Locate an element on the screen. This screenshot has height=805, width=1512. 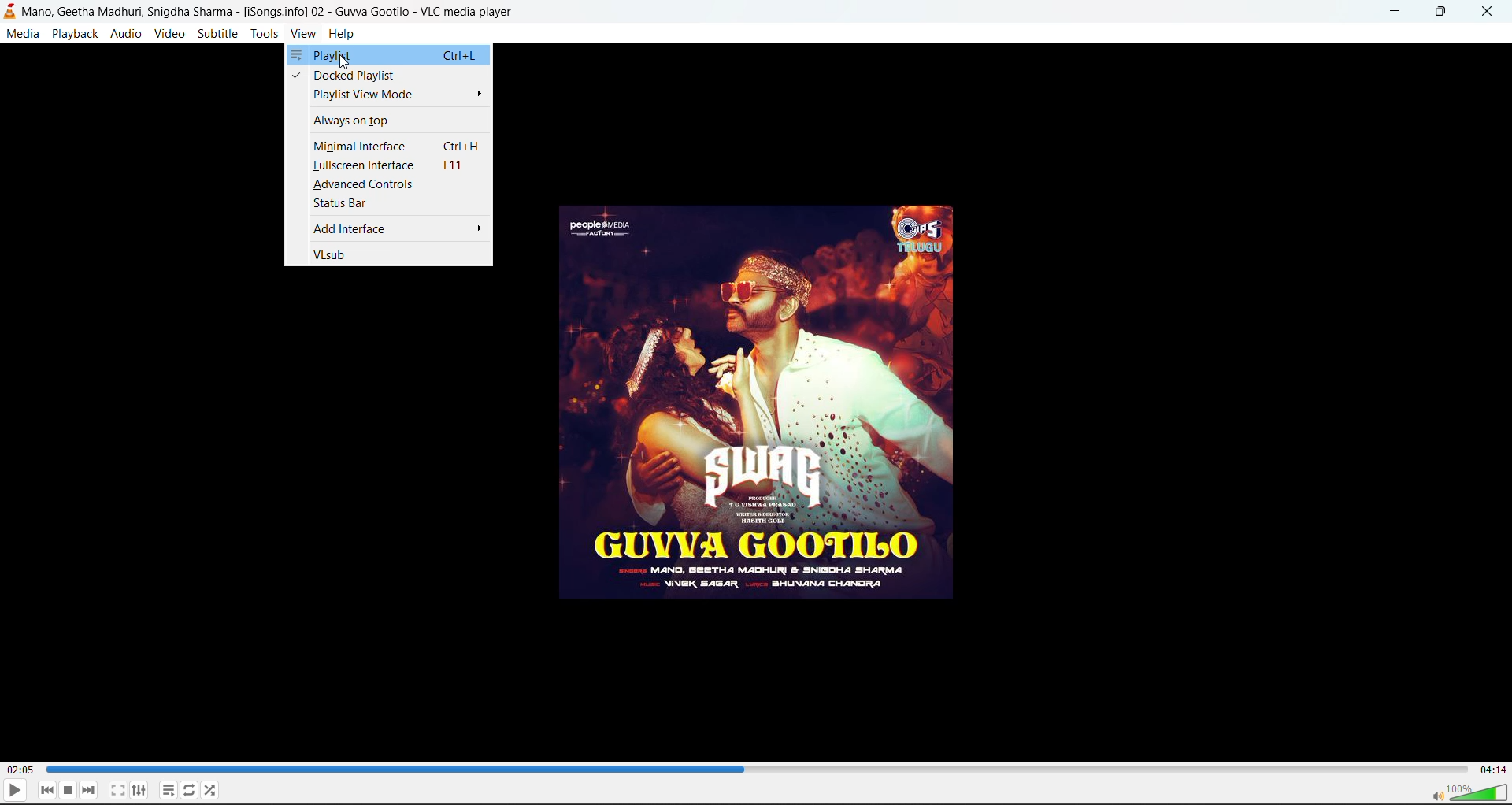
video is located at coordinates (169, 33).